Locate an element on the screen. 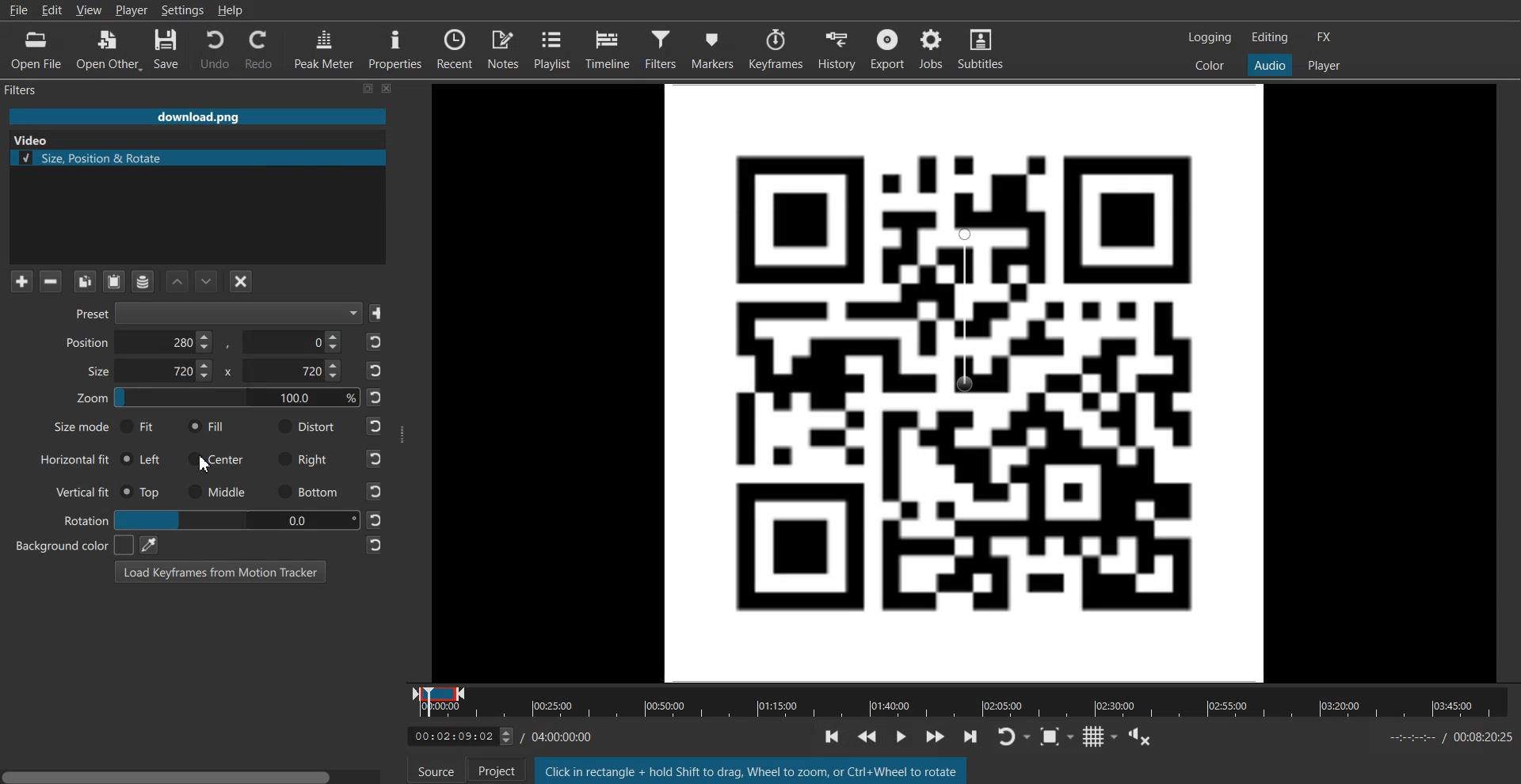  Paste Filter is located at coordinates (116, 280).